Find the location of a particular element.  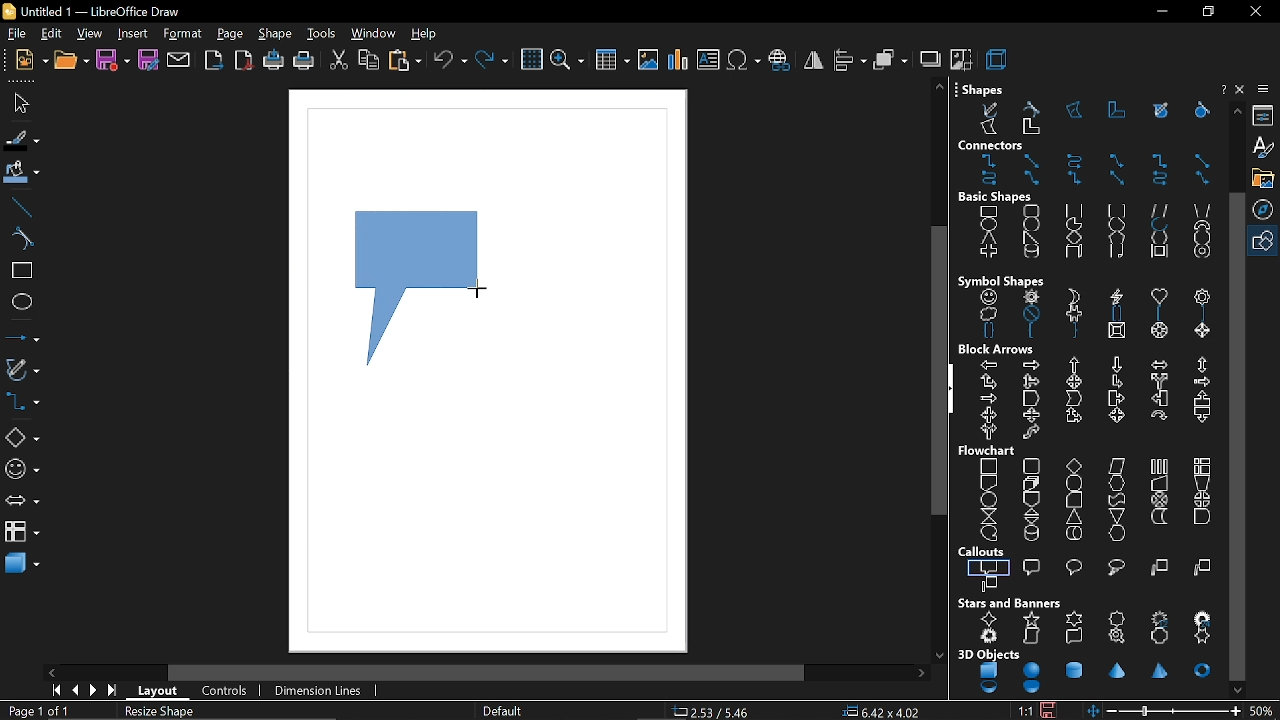

rounded rectangle is located at coordinates (1030, 211).